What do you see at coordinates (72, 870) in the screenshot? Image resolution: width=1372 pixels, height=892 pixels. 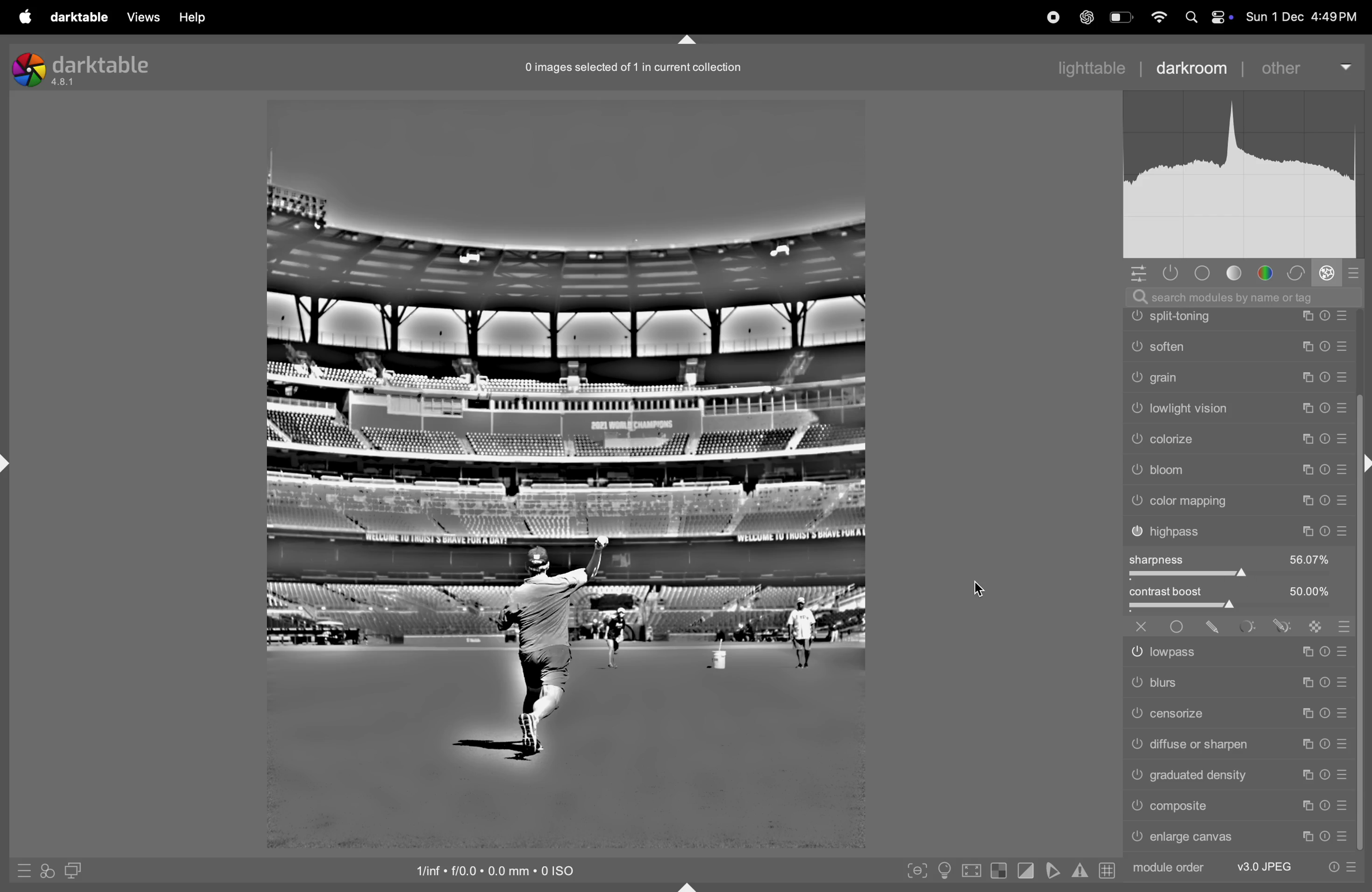 I see `display second darkroom image` at bounding box center [72, 870].